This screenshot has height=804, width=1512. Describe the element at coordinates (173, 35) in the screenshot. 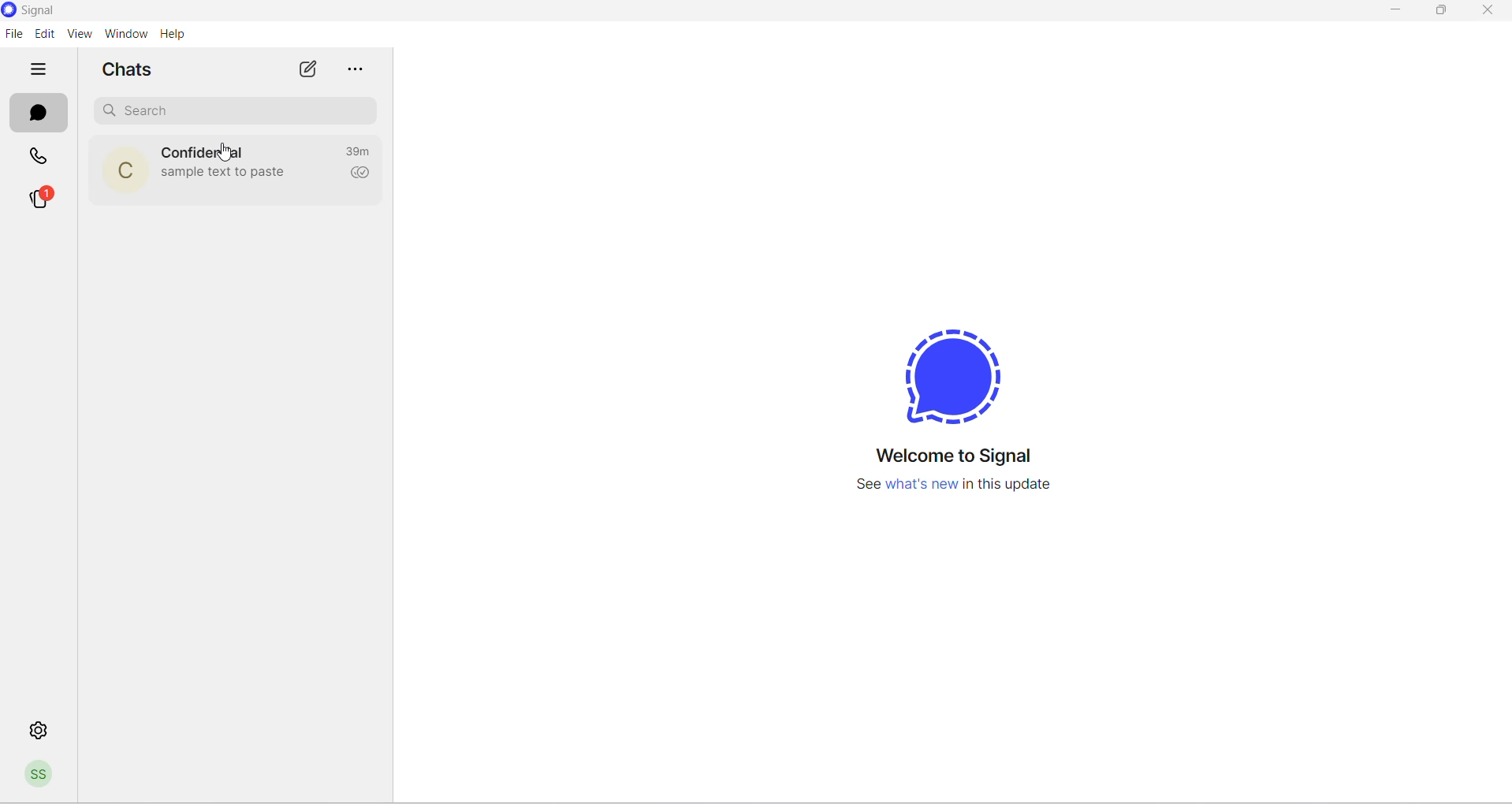

I see `Help` at that location.